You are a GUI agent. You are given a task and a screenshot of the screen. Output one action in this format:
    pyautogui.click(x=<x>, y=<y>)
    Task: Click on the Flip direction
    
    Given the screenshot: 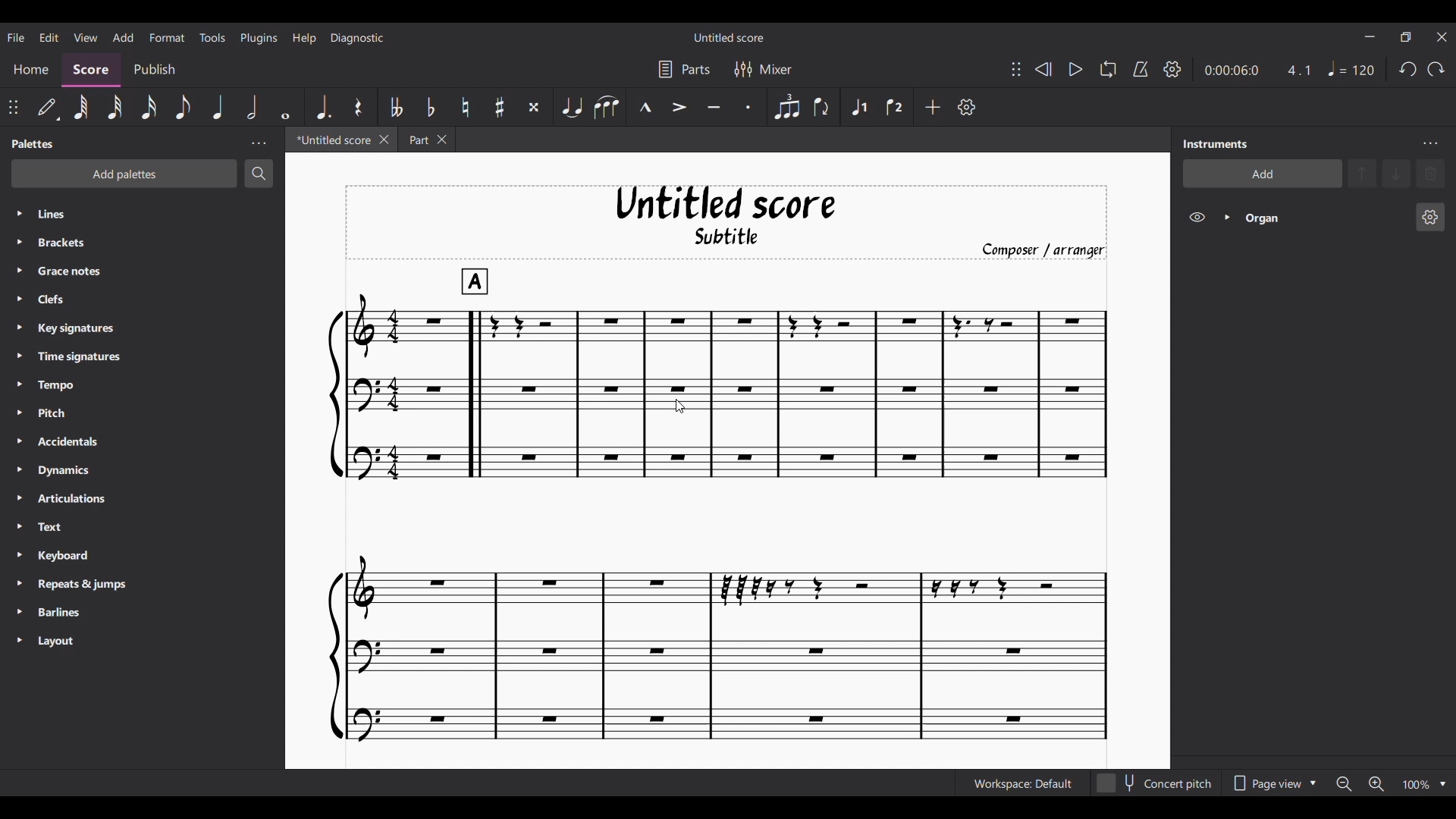 What is the action you would take?
    pyautogui.click(x=822, y=108)
    